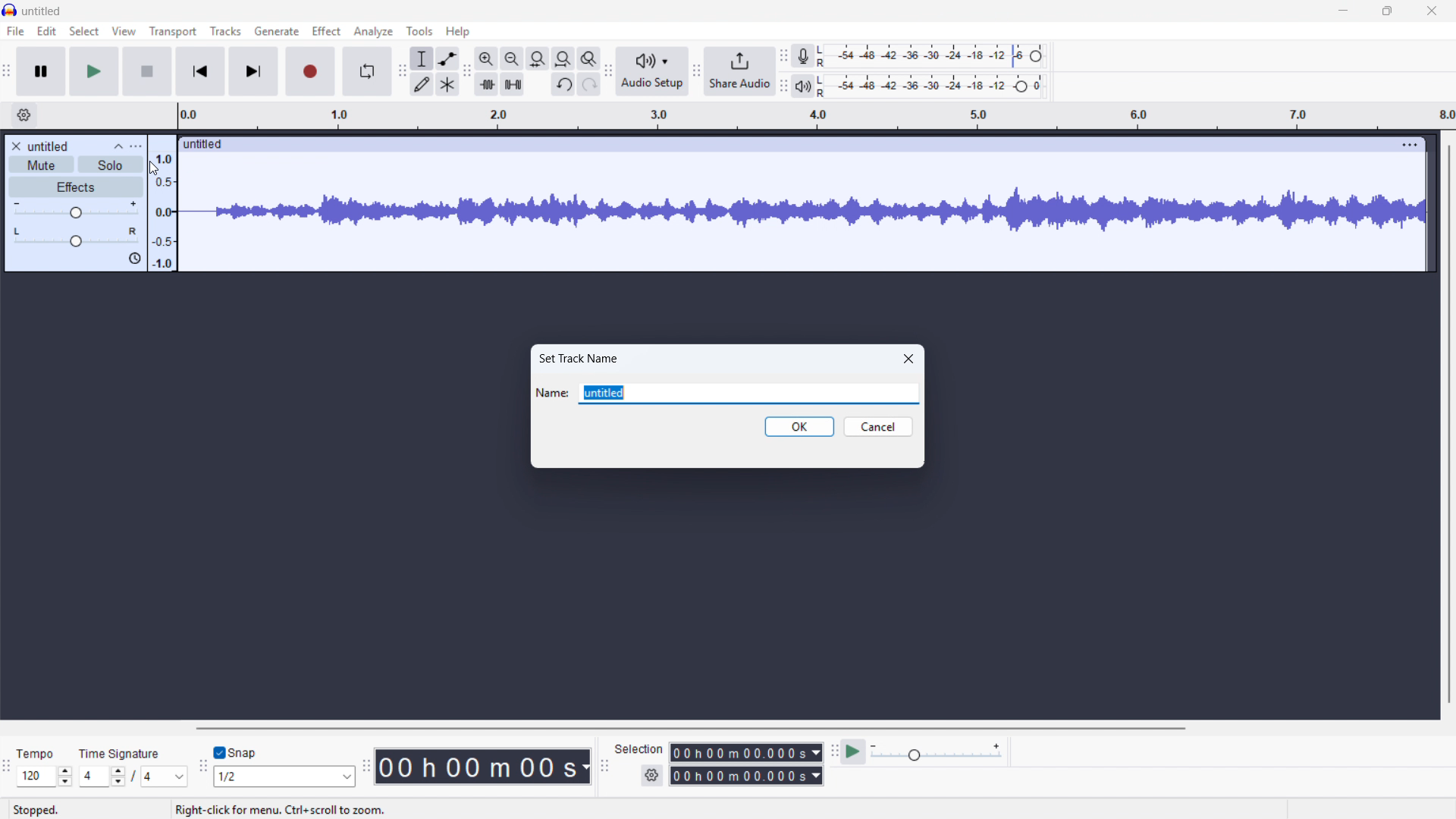 This screenshot has width=1456, height=819. What do you see at coordinates (147, 72) in the screenshot?
I see `stop ` at bounding box center [147, 72].